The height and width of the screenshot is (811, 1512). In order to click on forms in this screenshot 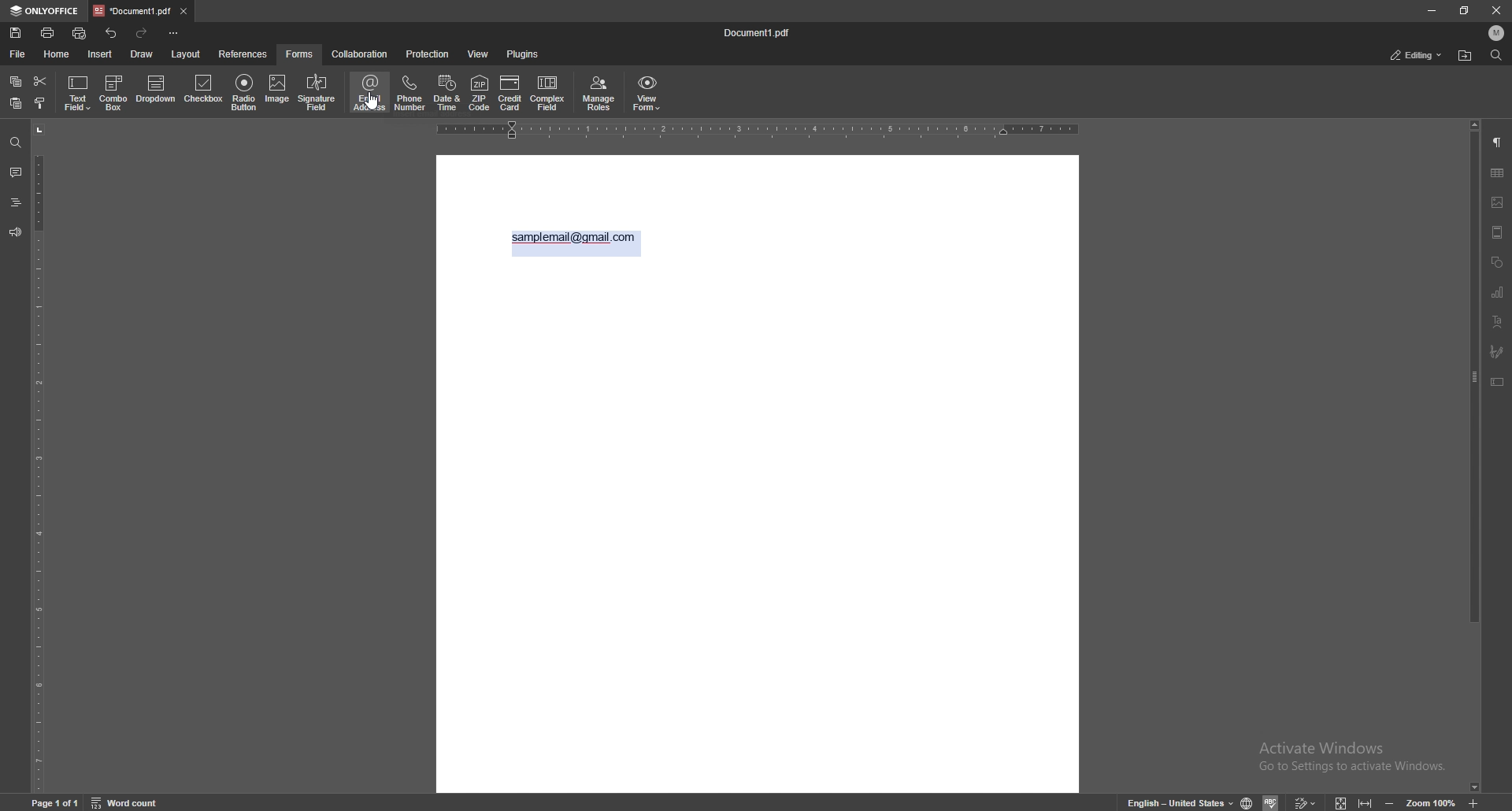, I will do `click(302, 54)`.